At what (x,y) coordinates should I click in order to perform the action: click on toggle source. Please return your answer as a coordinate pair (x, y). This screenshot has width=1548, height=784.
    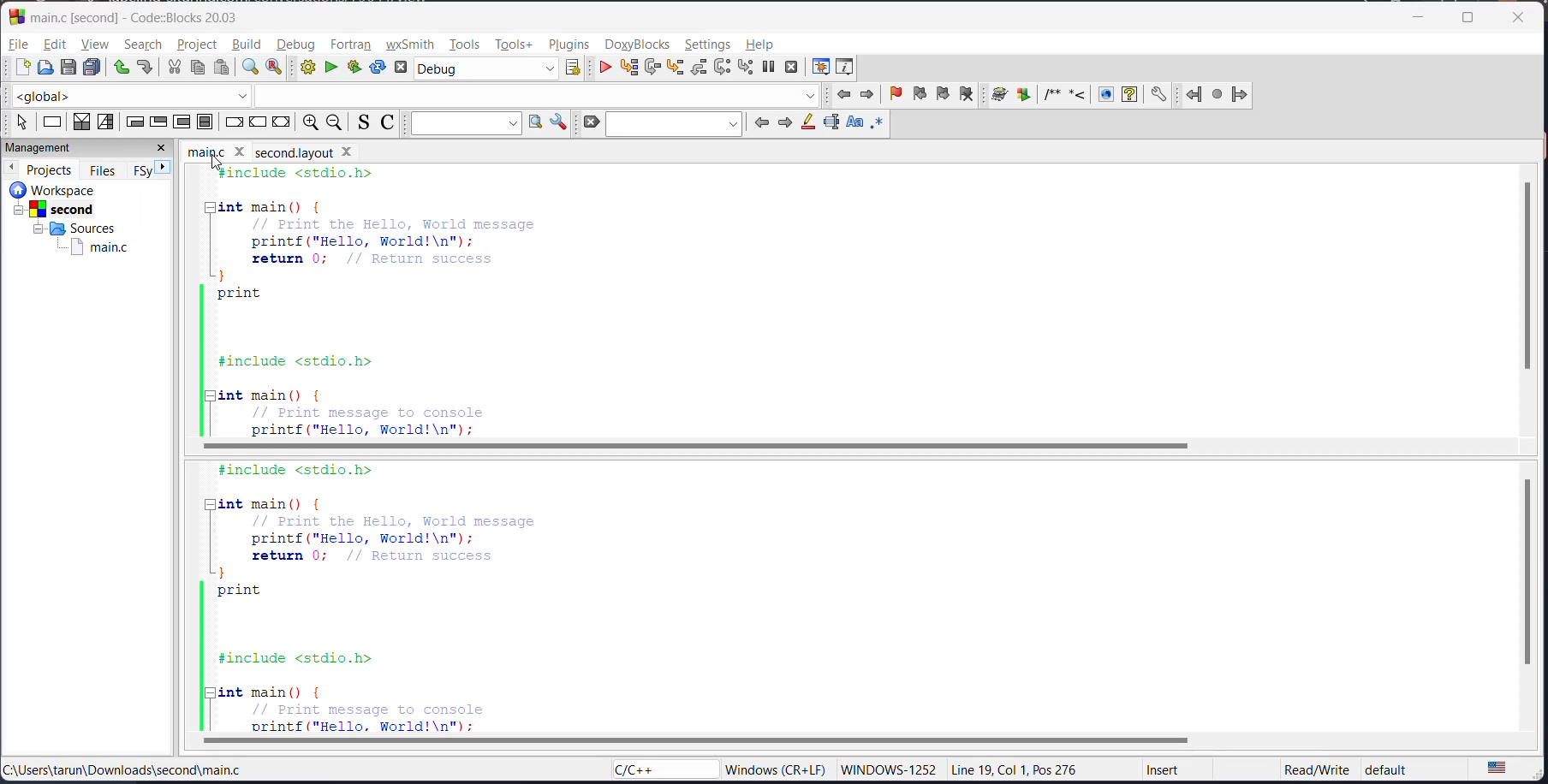
    Looking at the image, I should click on (363, 123).